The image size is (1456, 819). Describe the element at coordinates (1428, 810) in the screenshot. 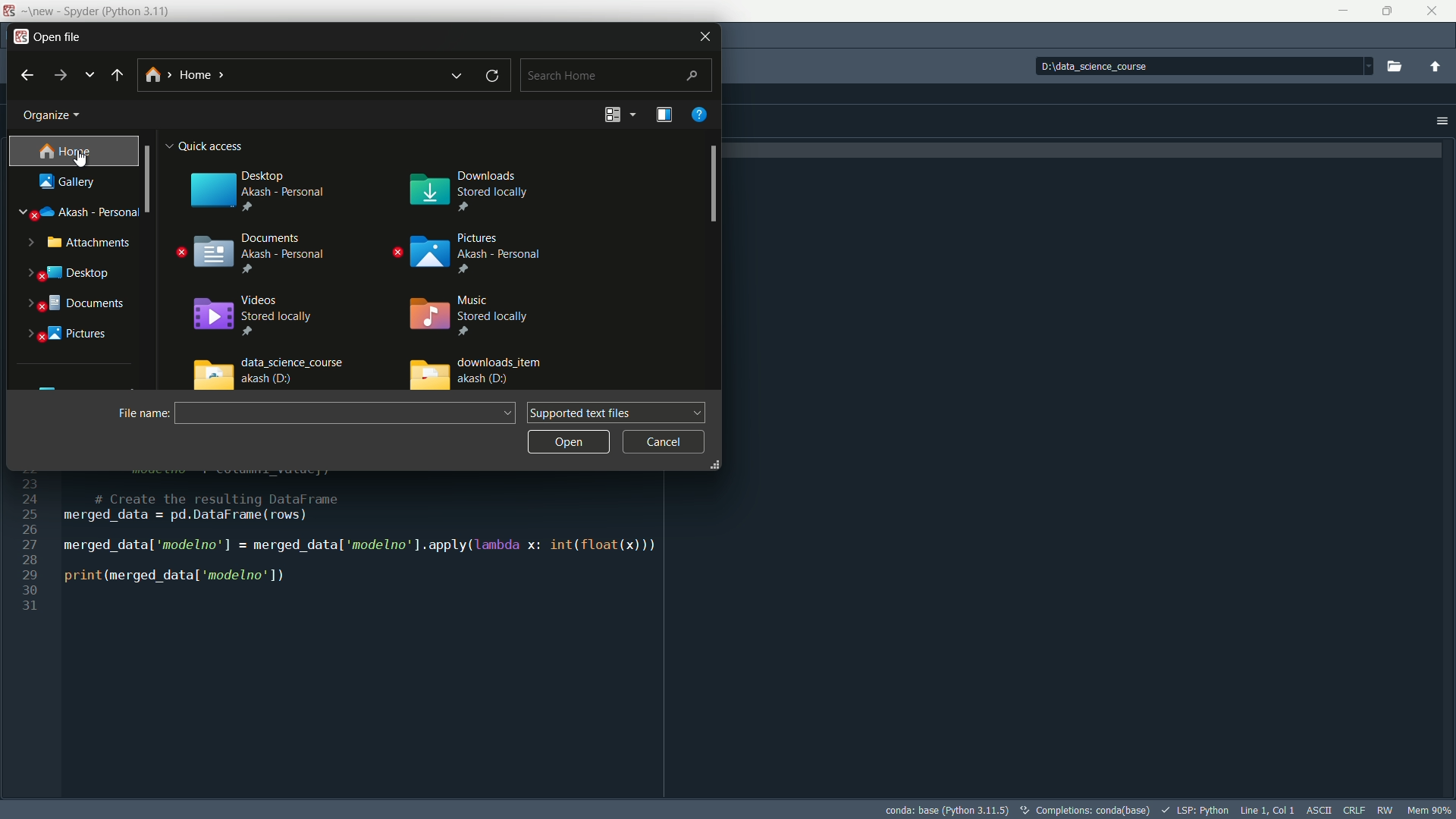

I see `memory usage` at that location.